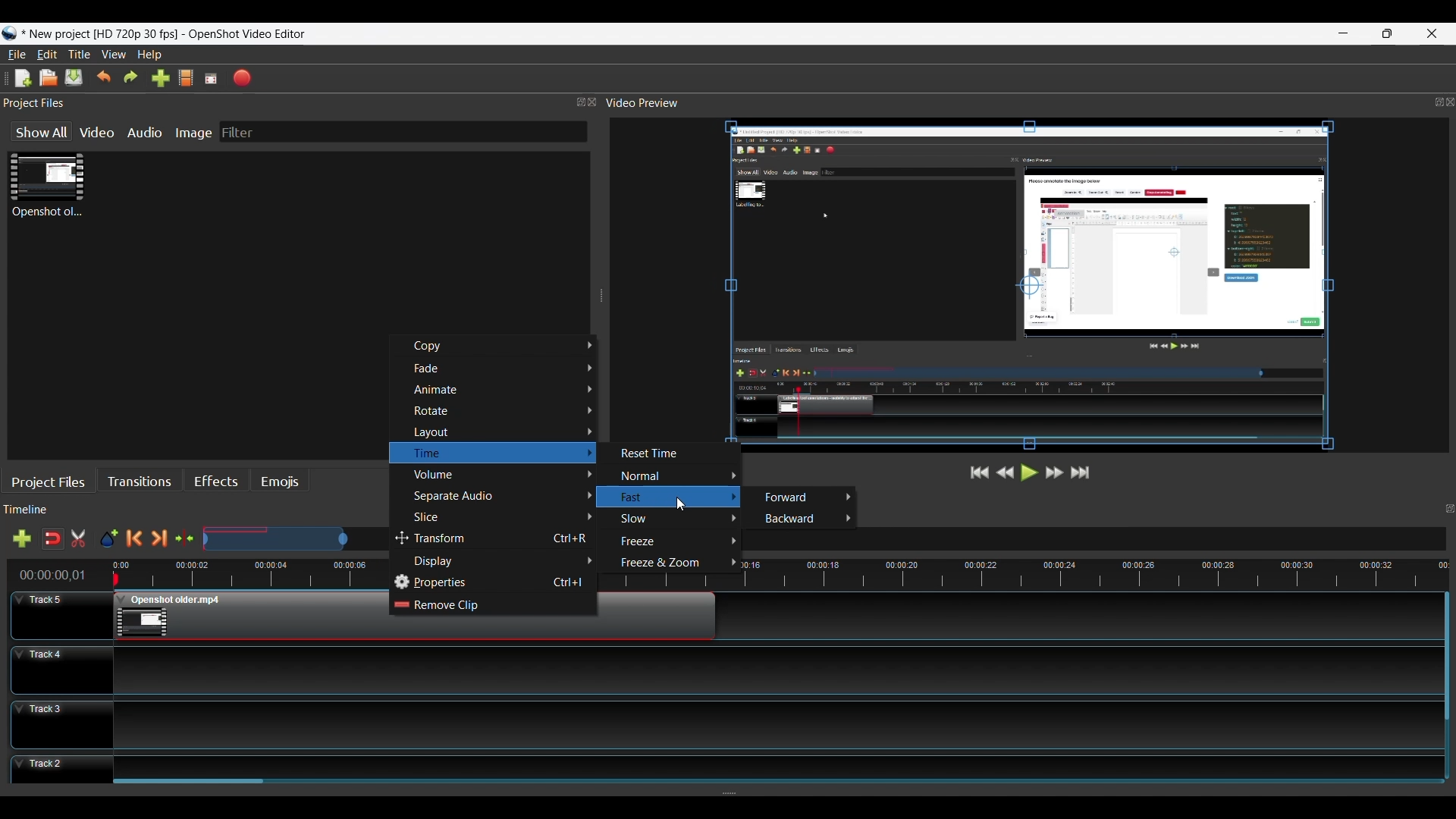 This screenshot has width=1456, height=819. What do you see at coordinates (682, 505) in the screenshot?
I see `Cursor` at bounding box center [682, 505].